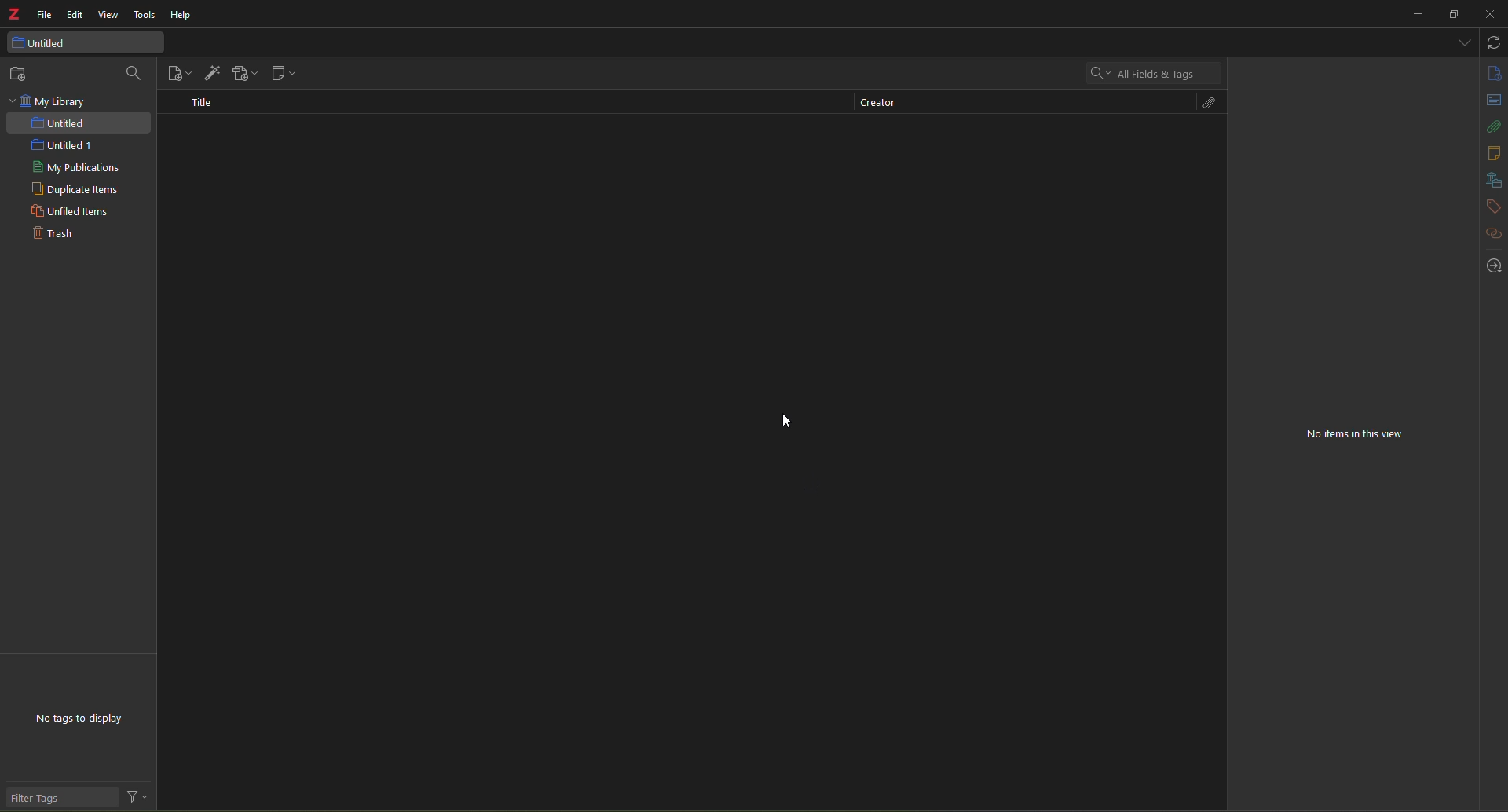  Describe the element at coordinates (1462, 130) in the screenshot. I see `close` at that location.